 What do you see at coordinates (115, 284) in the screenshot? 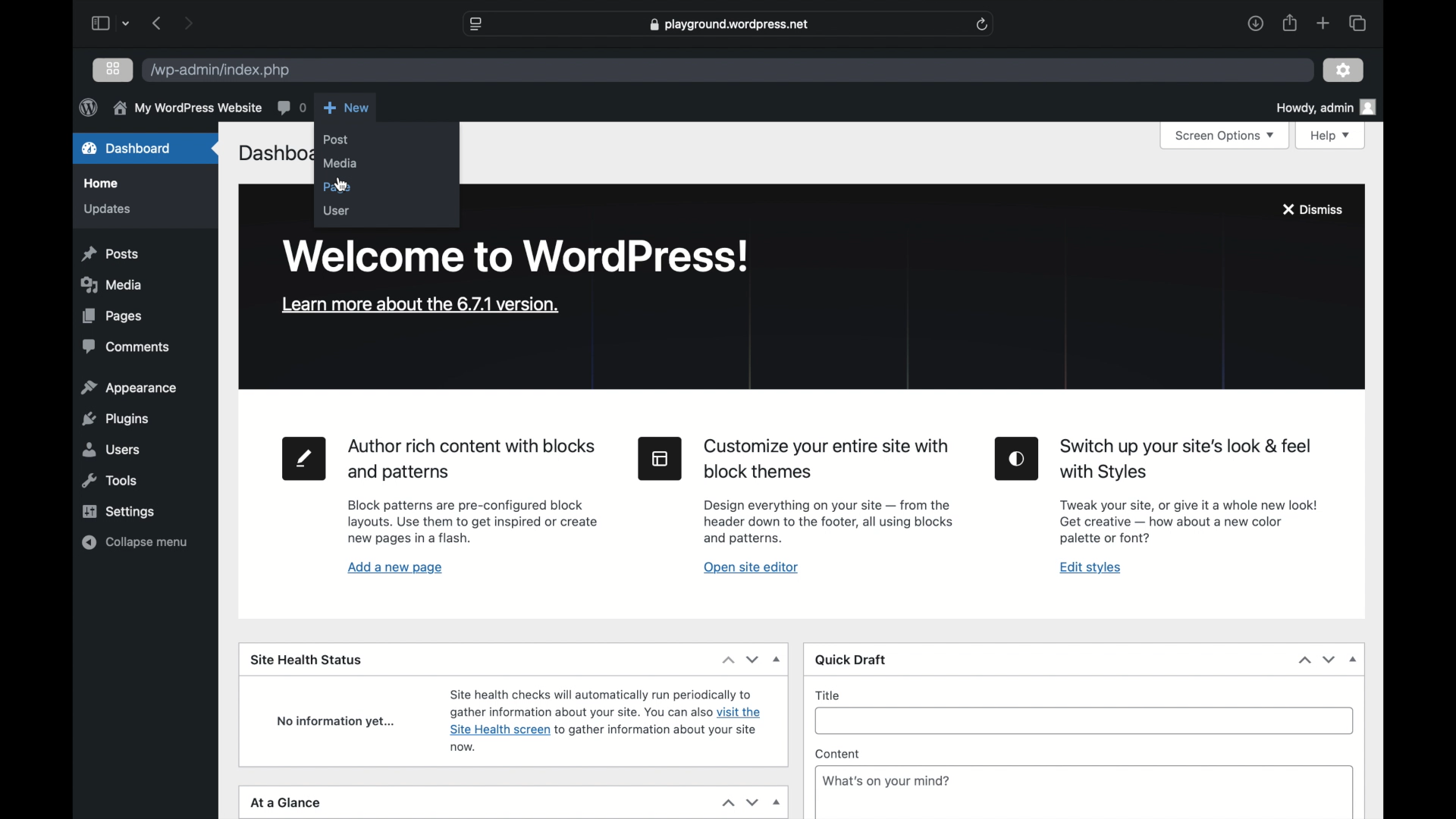
I see `media` at bounding box center [115, 284].